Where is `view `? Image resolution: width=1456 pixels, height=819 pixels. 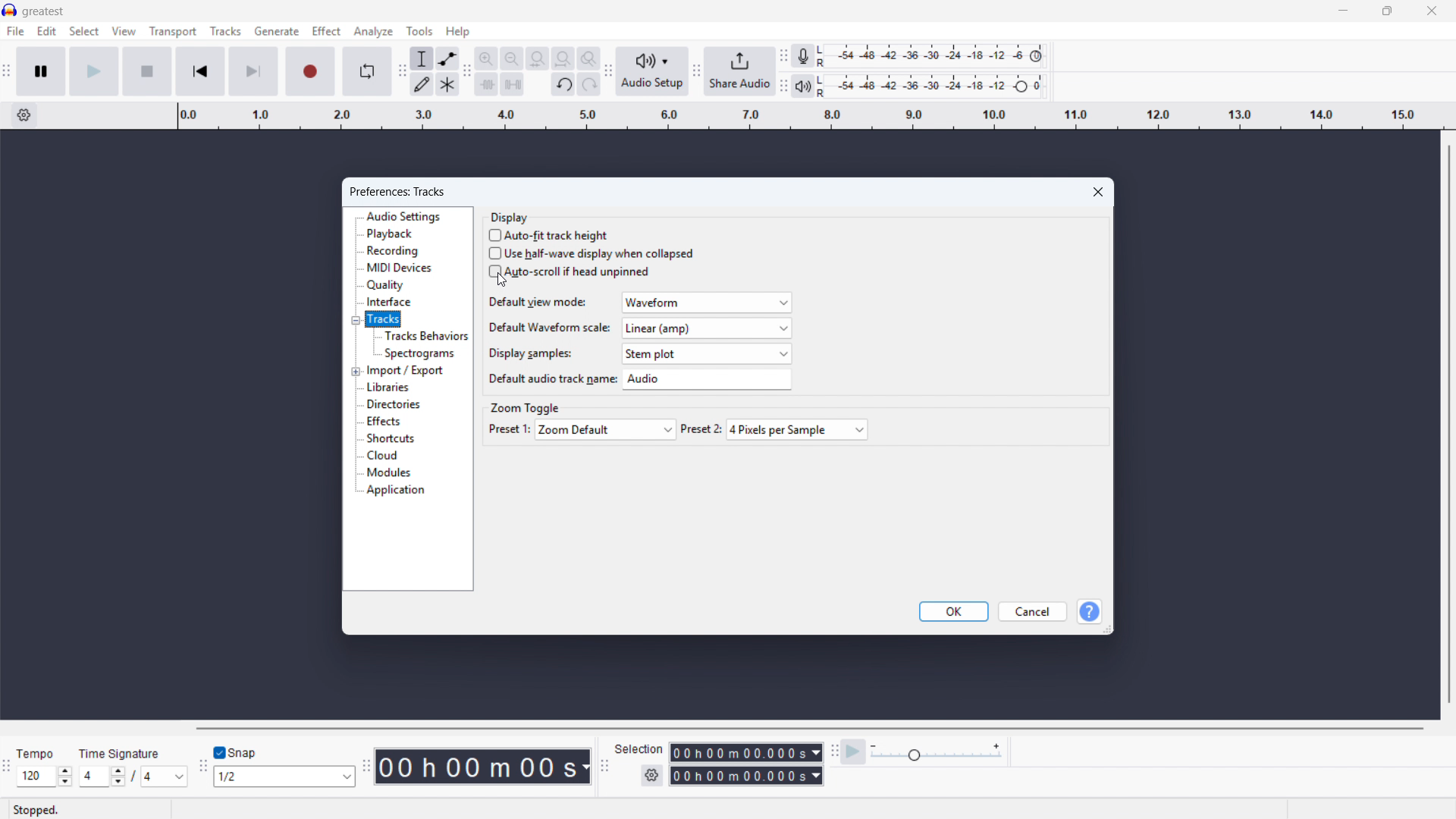 view  is located at coordinates (124, 30).